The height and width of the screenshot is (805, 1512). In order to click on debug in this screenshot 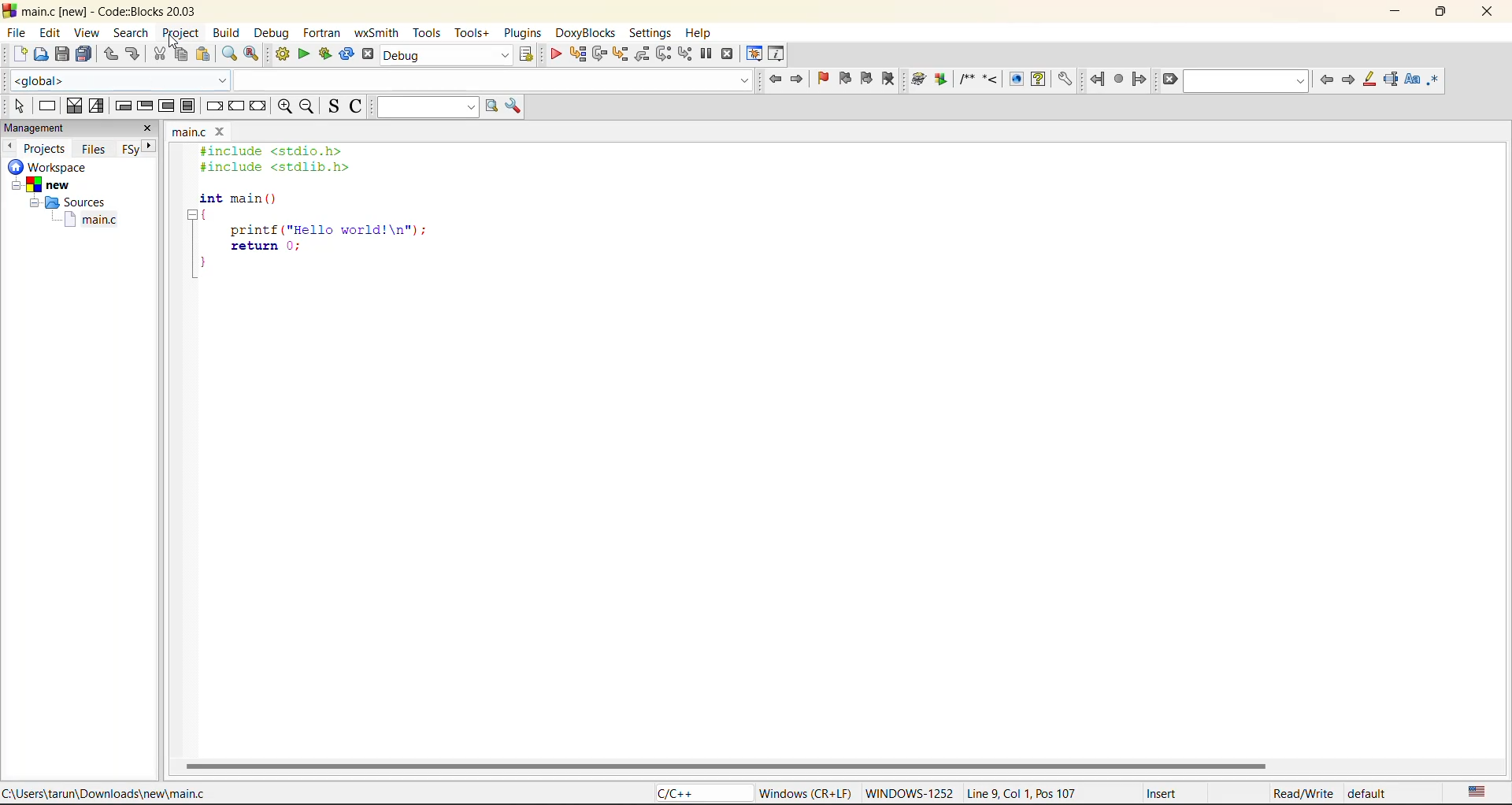, I will do `click(273, 32)`.